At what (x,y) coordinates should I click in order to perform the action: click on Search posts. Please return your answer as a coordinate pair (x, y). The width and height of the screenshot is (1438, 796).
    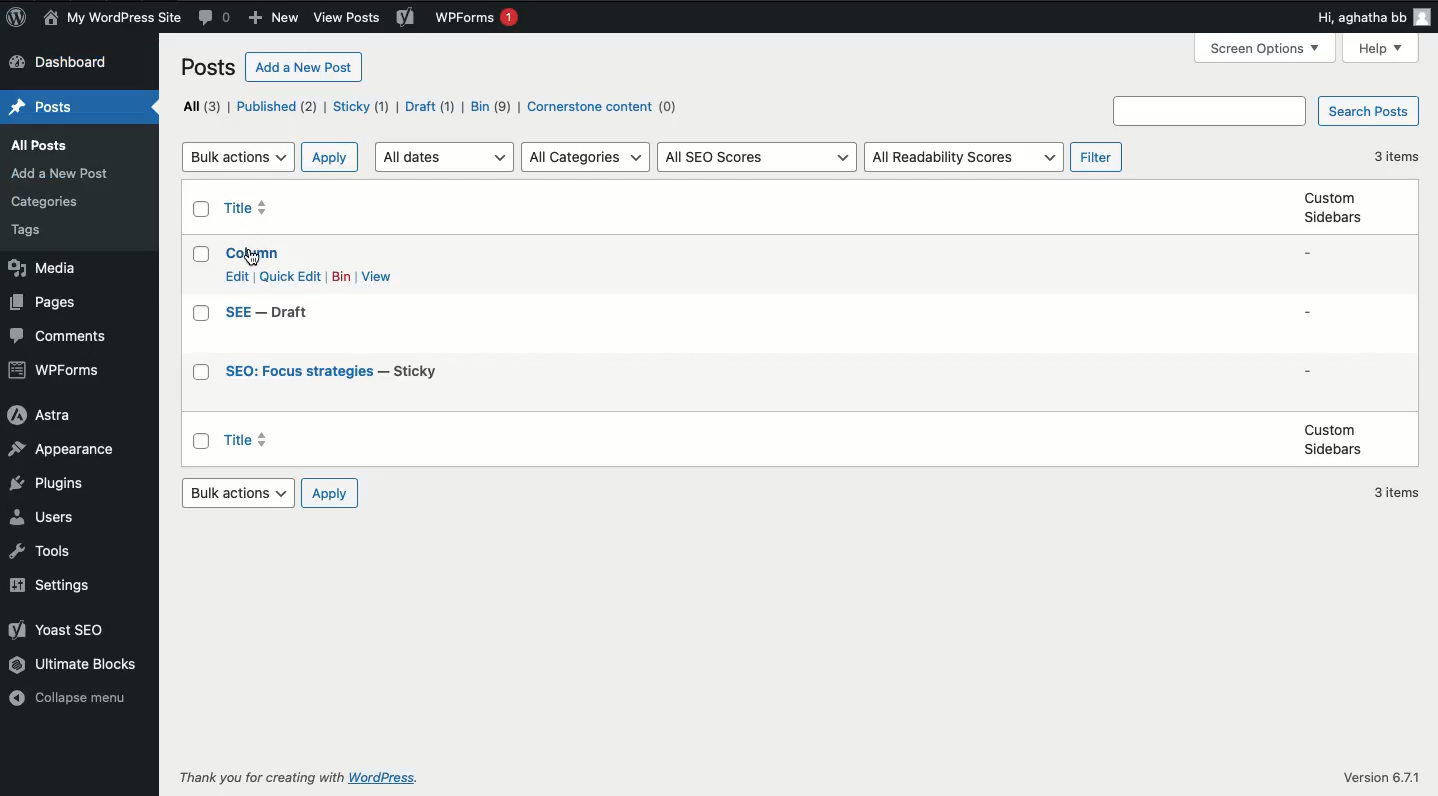
    Looking at the image, I should click on (1264, 110).